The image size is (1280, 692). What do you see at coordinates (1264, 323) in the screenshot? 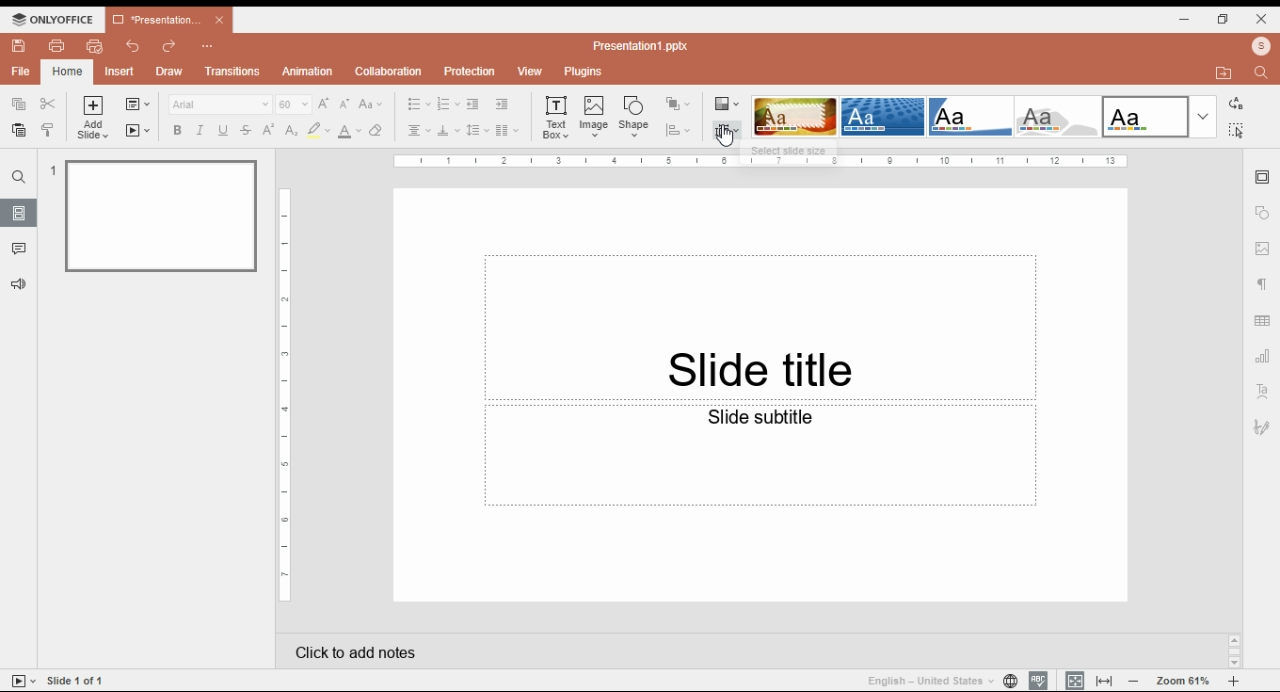
I see `table settings` at bounding box center [1264, 323].